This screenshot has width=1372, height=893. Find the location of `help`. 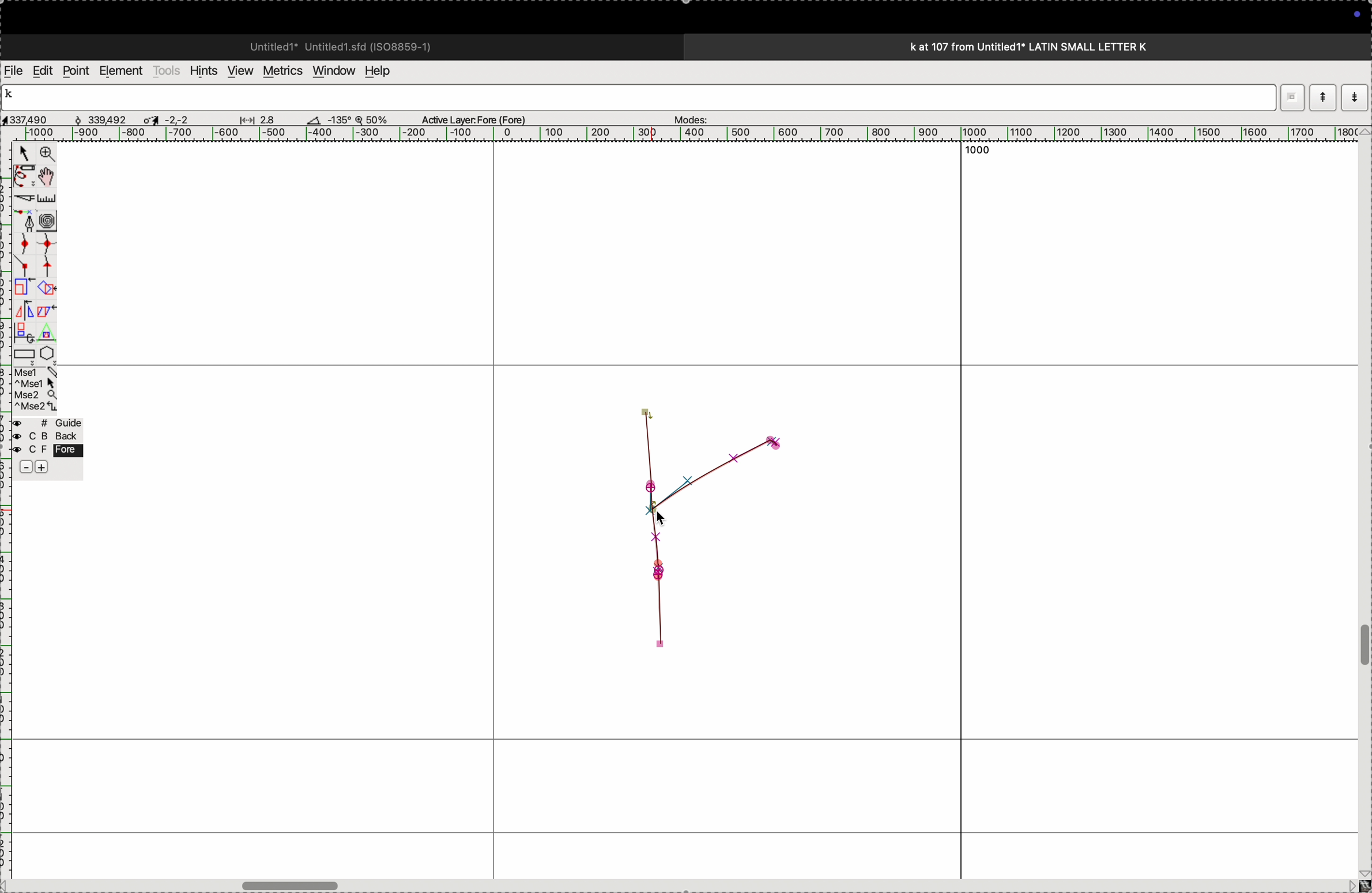

help is located at coordinates (385, 71).